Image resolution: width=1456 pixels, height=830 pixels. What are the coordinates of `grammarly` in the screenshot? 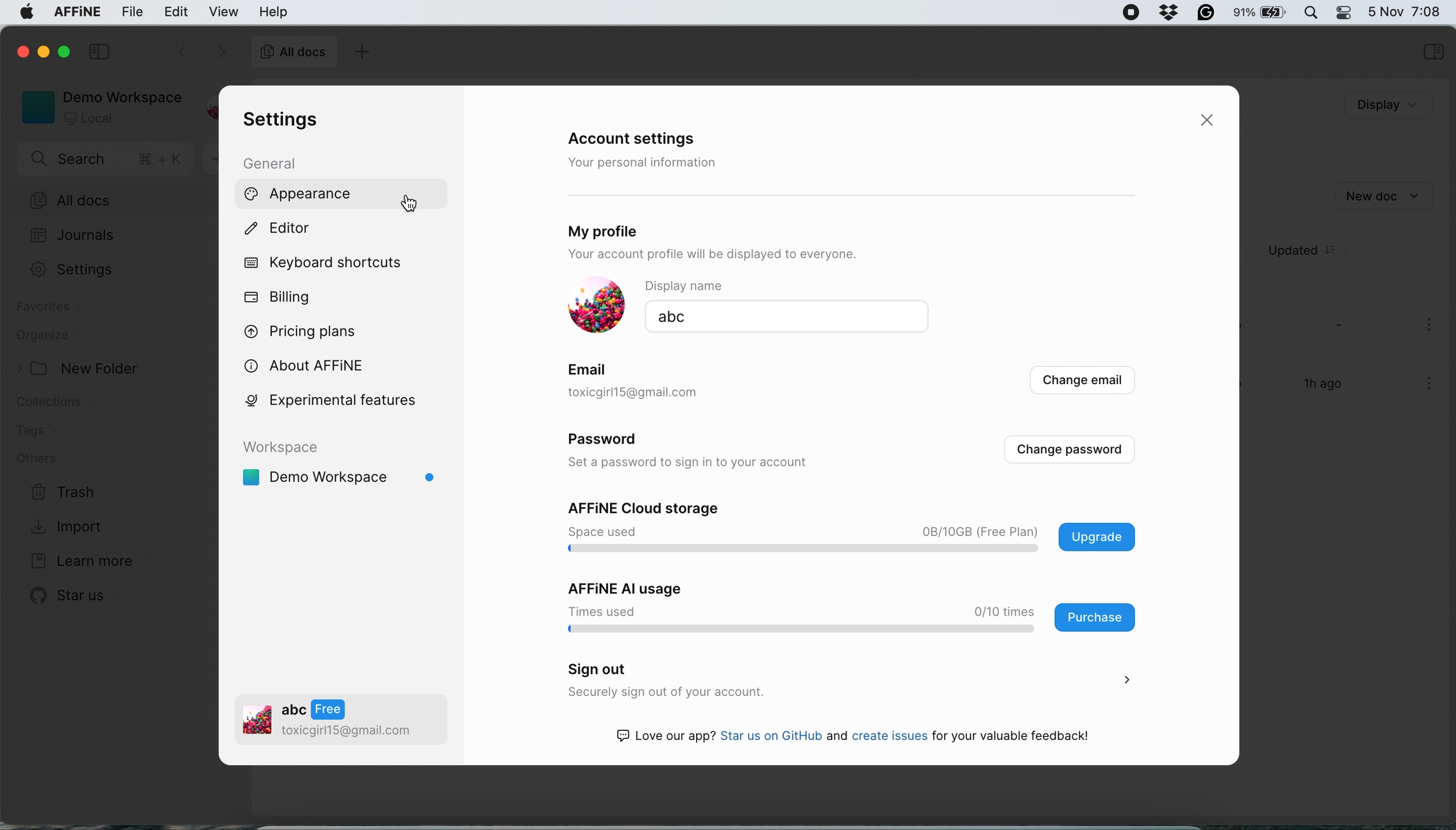 It's located at (1207, 13).